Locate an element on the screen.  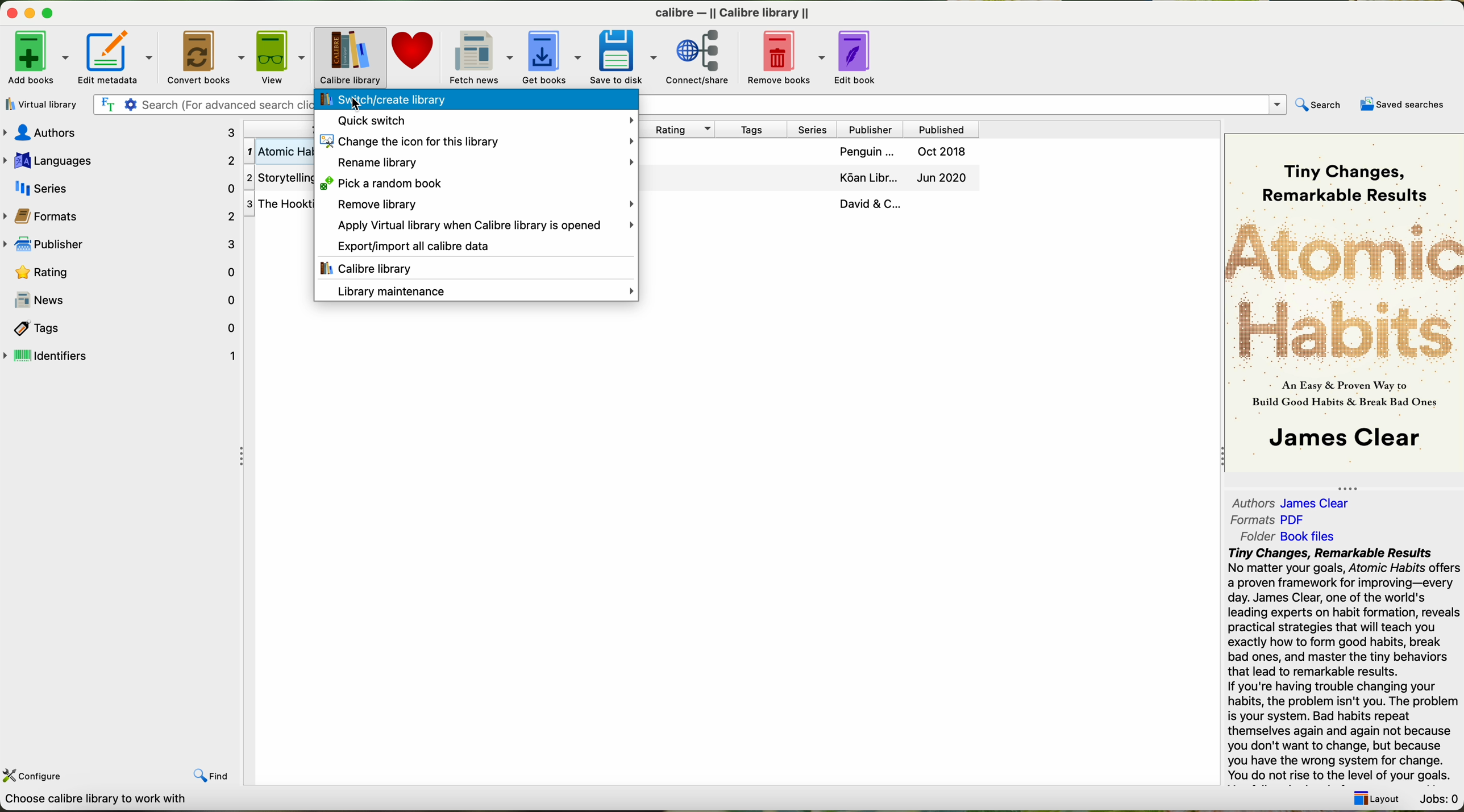
formats is located at coordinates (121, 215).